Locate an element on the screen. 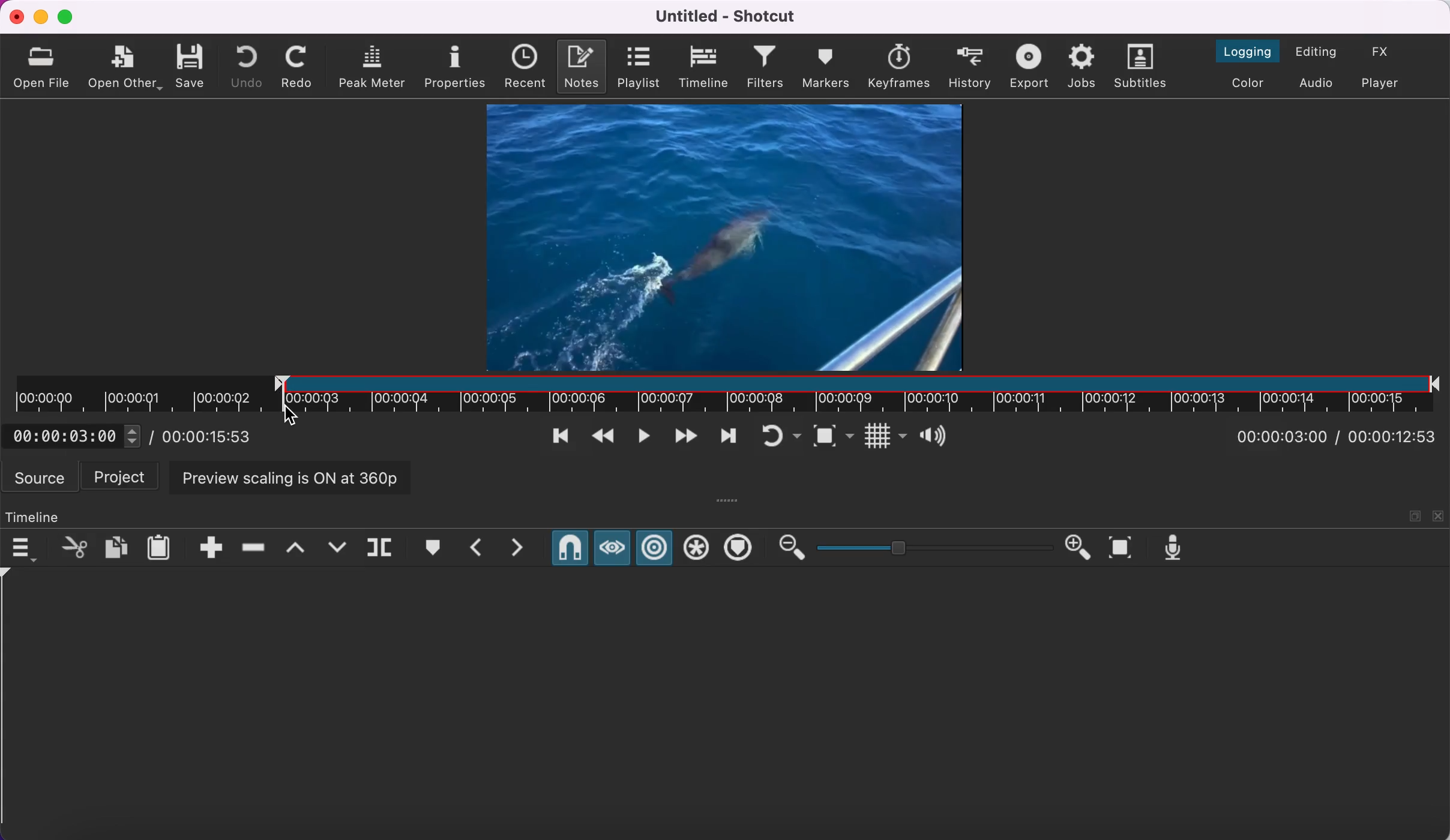 The width and height of the screenshot is (1450, 840). total duration is located at coordinates (216, 438).